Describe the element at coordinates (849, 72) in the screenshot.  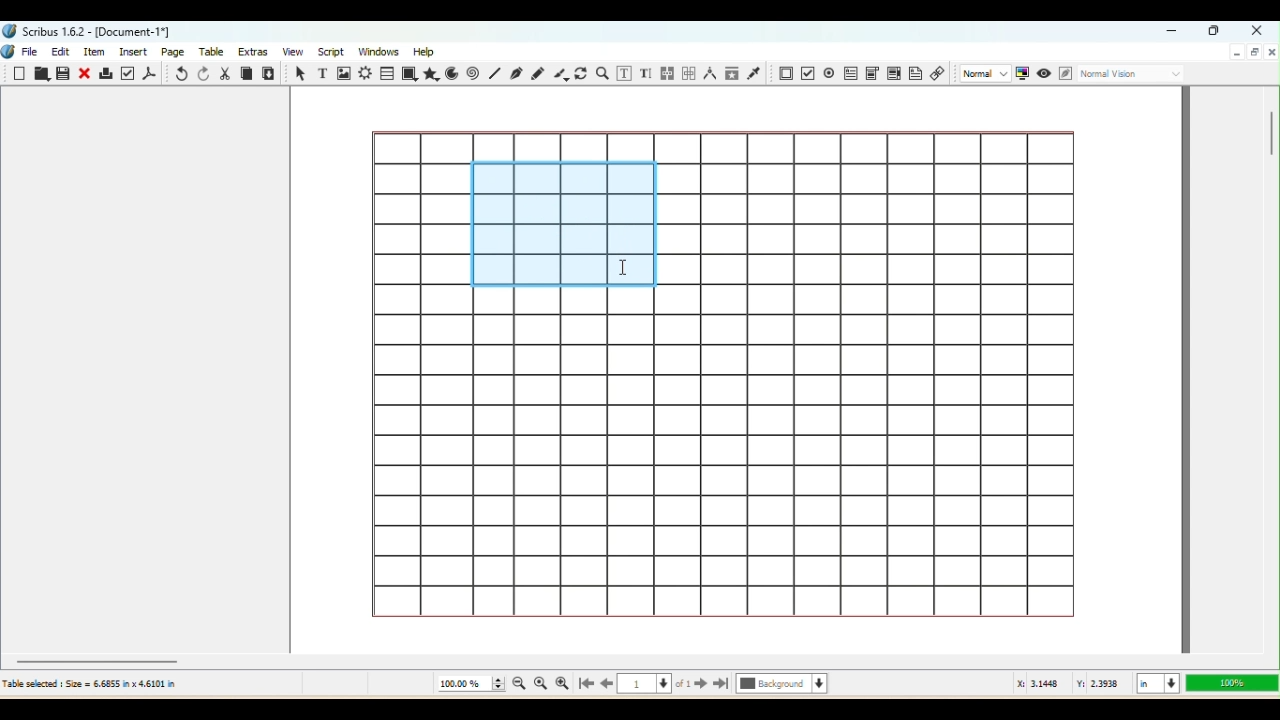
I see `PDF text field` at that location.